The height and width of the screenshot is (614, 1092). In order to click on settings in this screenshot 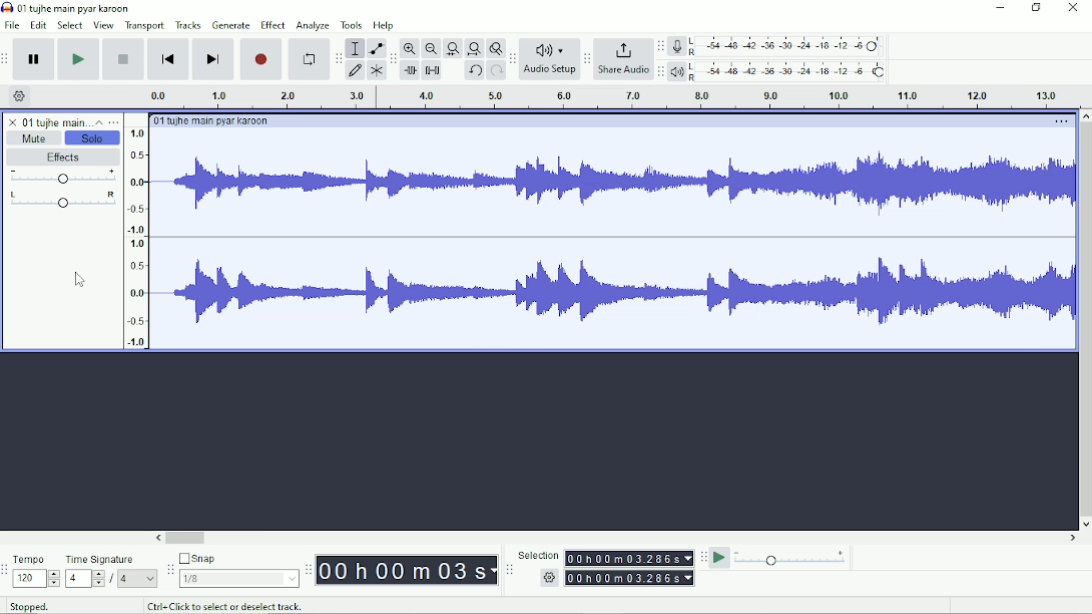, I will do `click(630, 578)`.